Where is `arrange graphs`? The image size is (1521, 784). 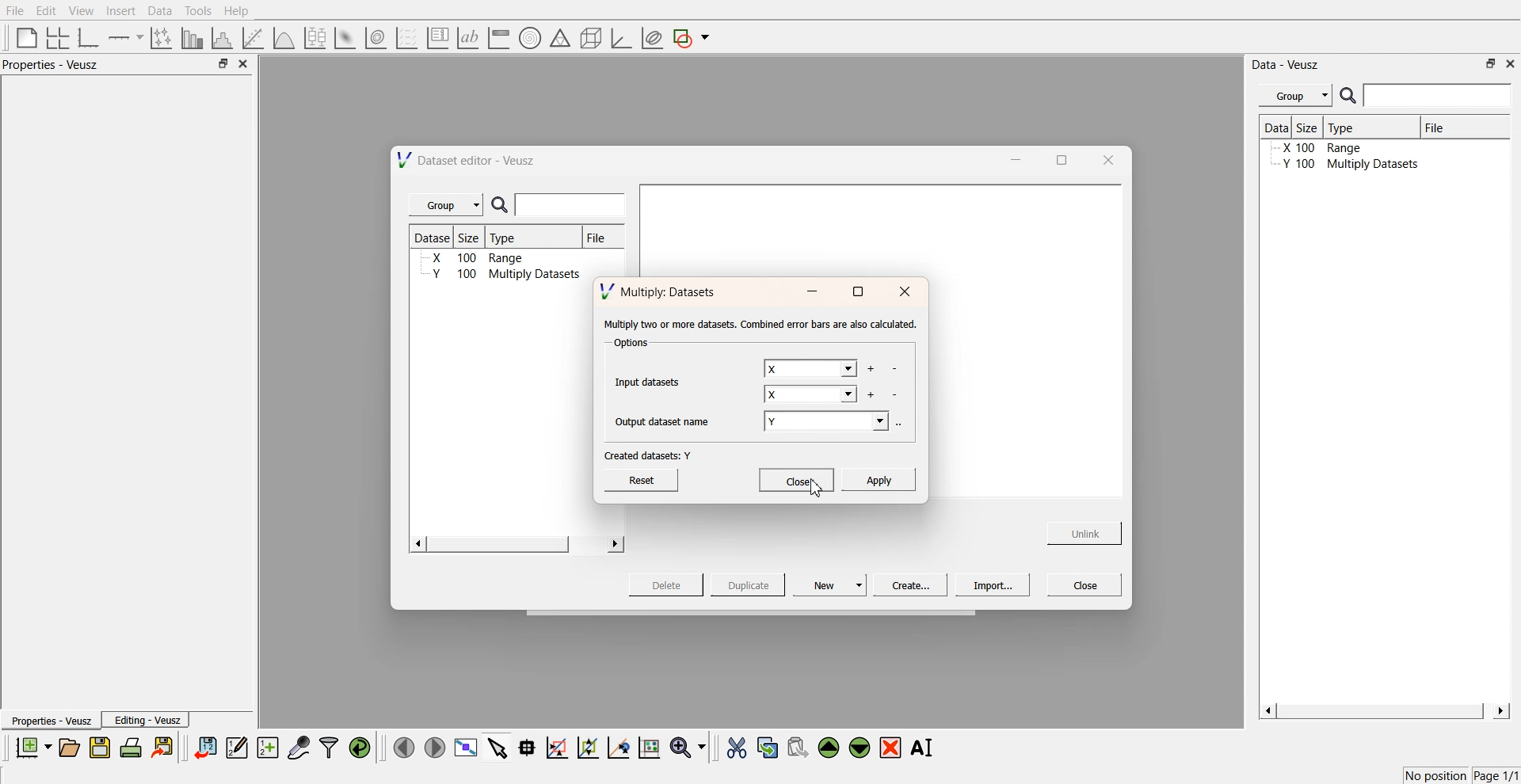 arrange graphs is located at coordinates (55, 37).